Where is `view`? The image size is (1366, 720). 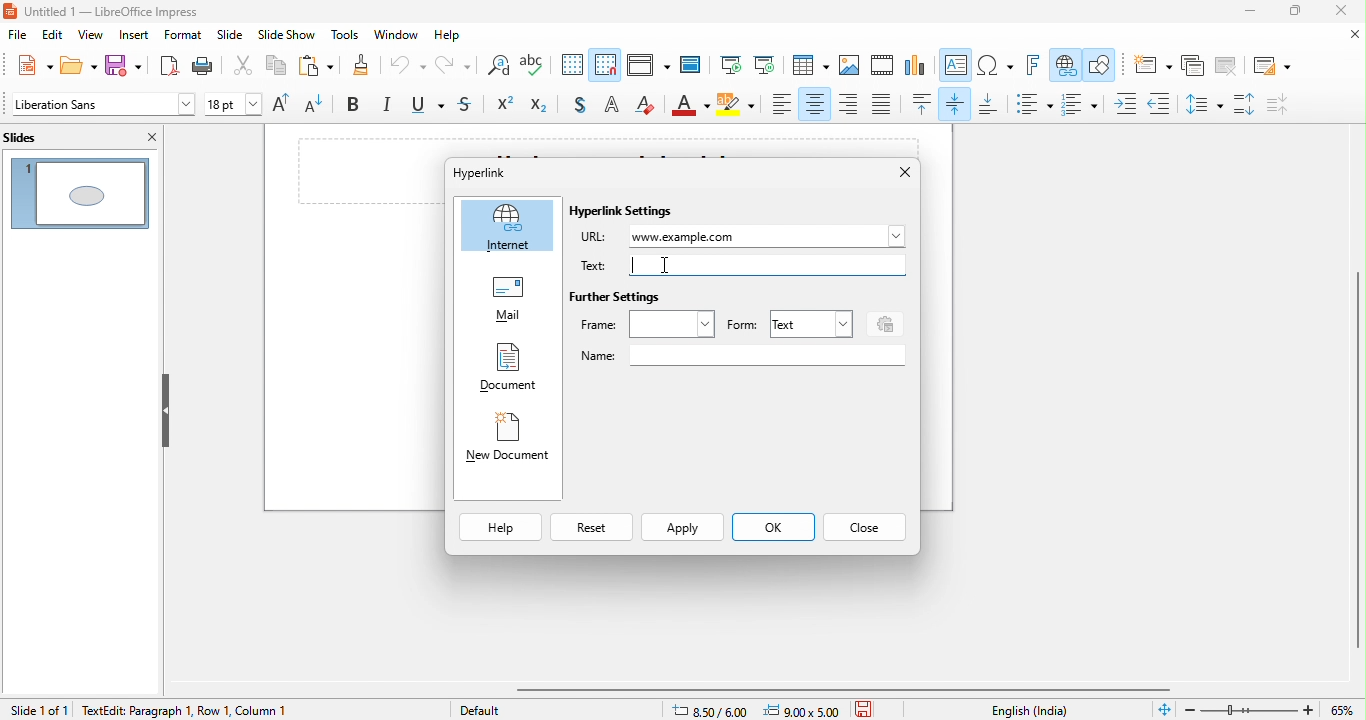 view is located at coordinates (90, 36).